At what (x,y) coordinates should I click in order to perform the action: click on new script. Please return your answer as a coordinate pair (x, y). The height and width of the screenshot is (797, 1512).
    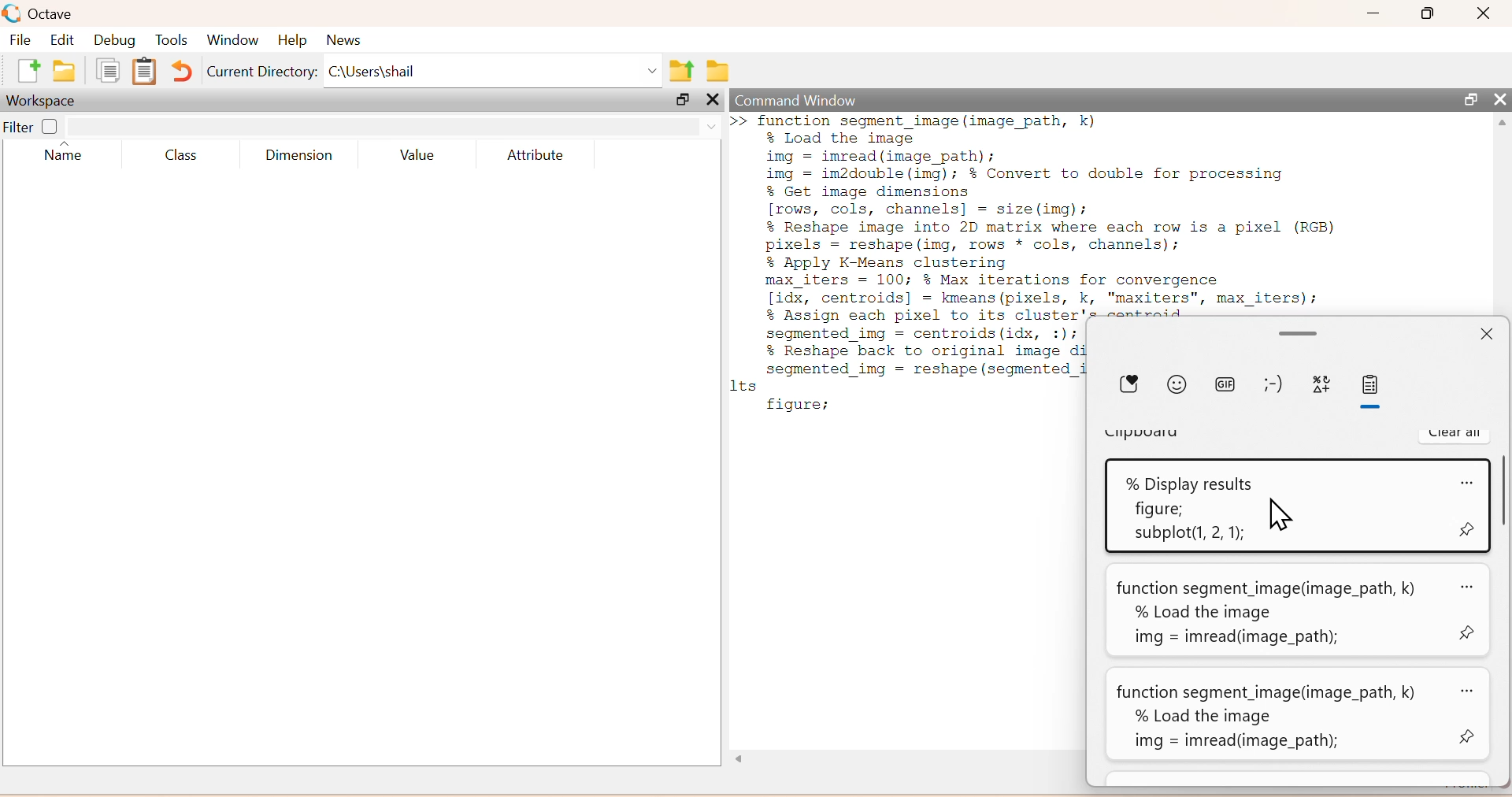
    Looking at the image, I should click on (31, 71).